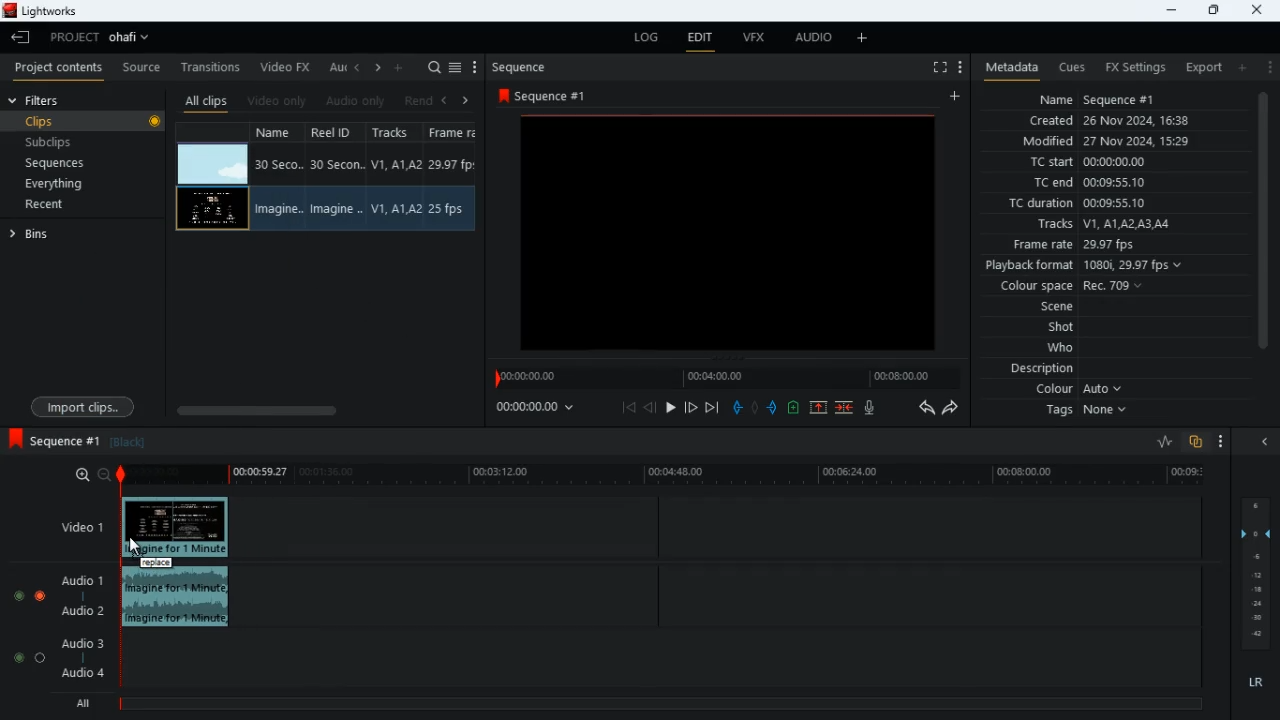  I want to click on search, so click(434, 68).